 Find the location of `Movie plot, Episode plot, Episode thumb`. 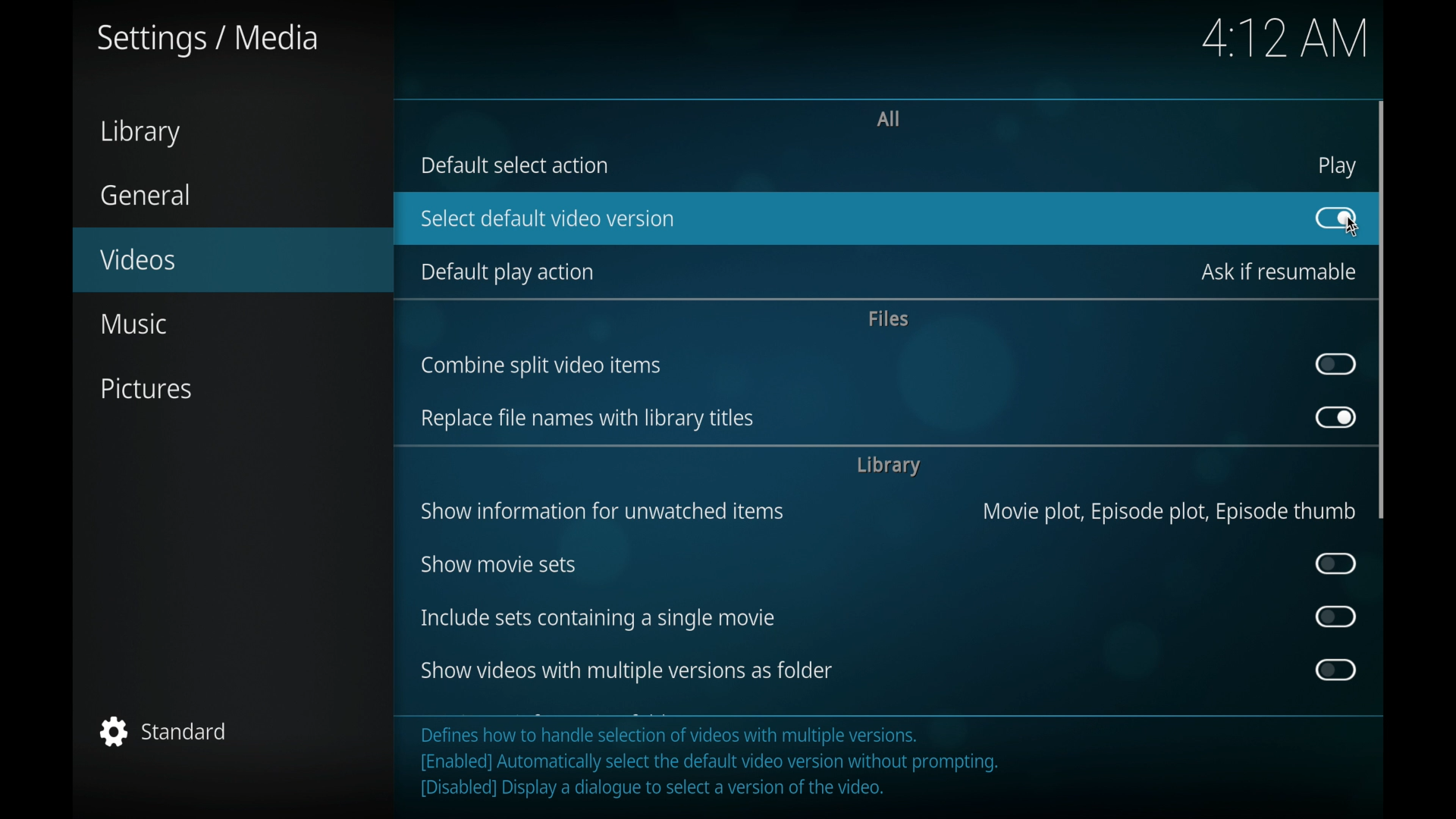

Movie plot, Episode plot, Episode thumb is located at coordinates (1166, 516).